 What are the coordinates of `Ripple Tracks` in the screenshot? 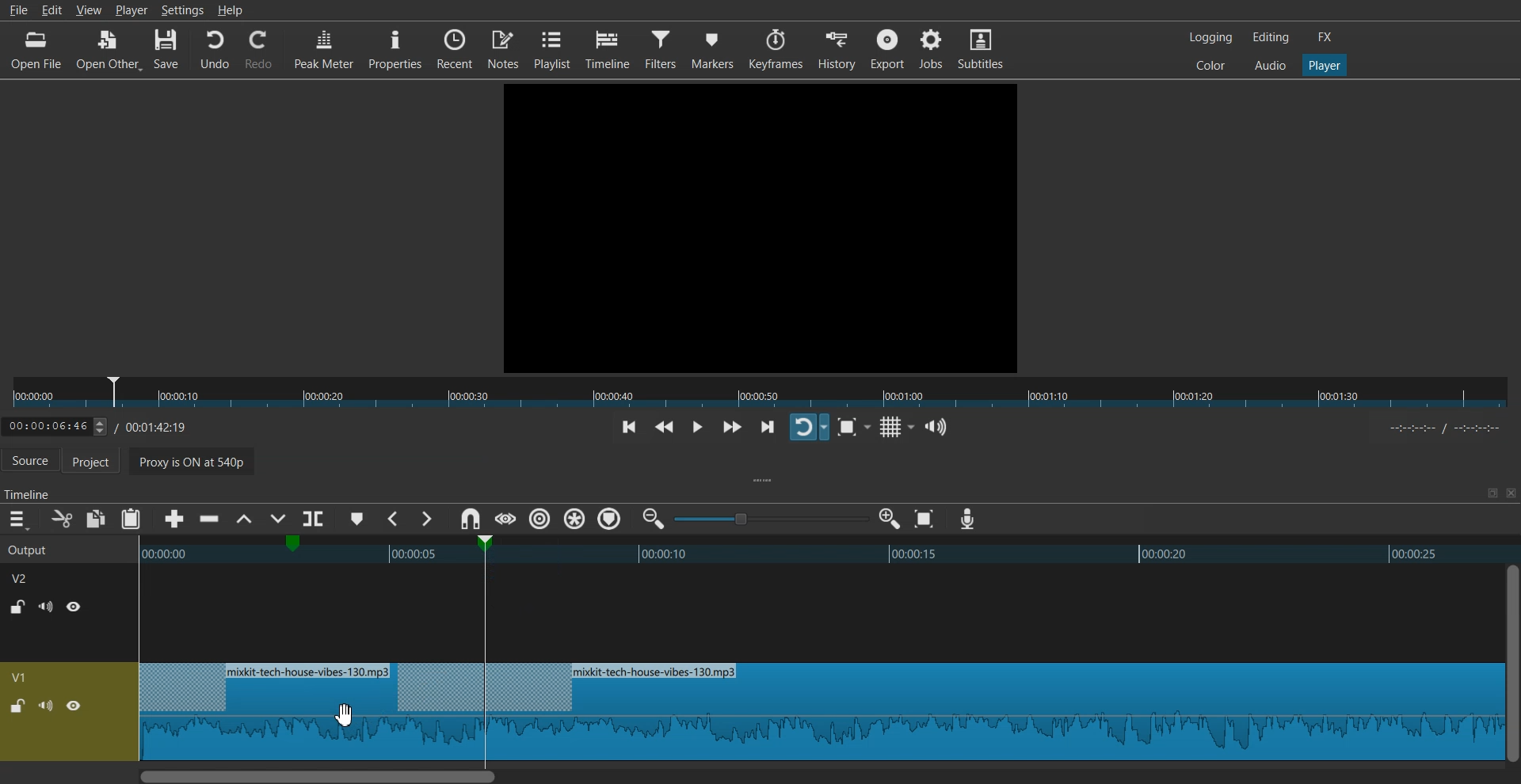 It's located at (611, 519).